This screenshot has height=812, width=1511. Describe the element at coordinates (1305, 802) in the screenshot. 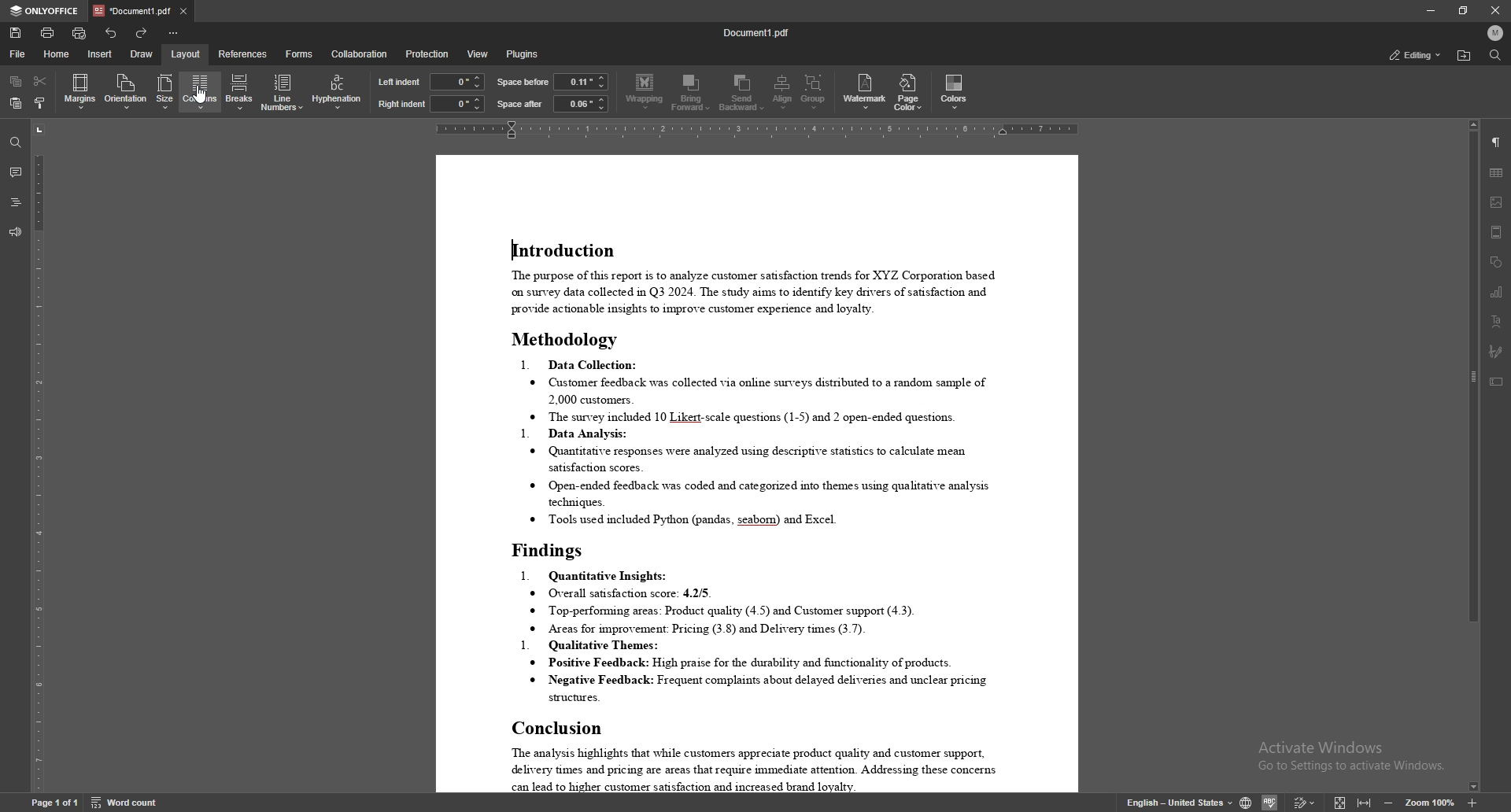

I see `track changes` at that location.